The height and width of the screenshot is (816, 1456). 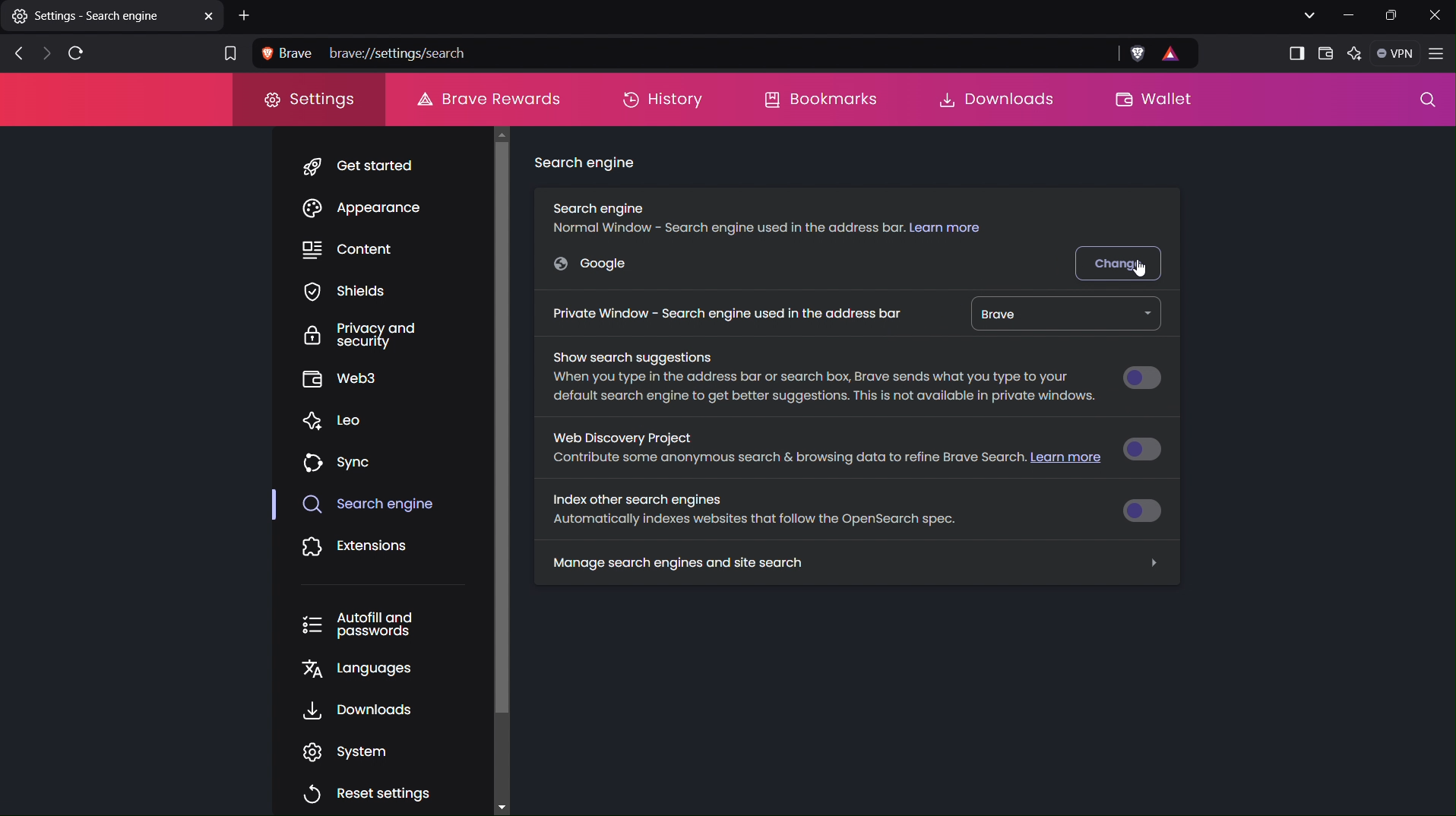 What do you see at coordinates (340, 419) in the screenshot?
I see `Leo` at bounding box center [340, 419].